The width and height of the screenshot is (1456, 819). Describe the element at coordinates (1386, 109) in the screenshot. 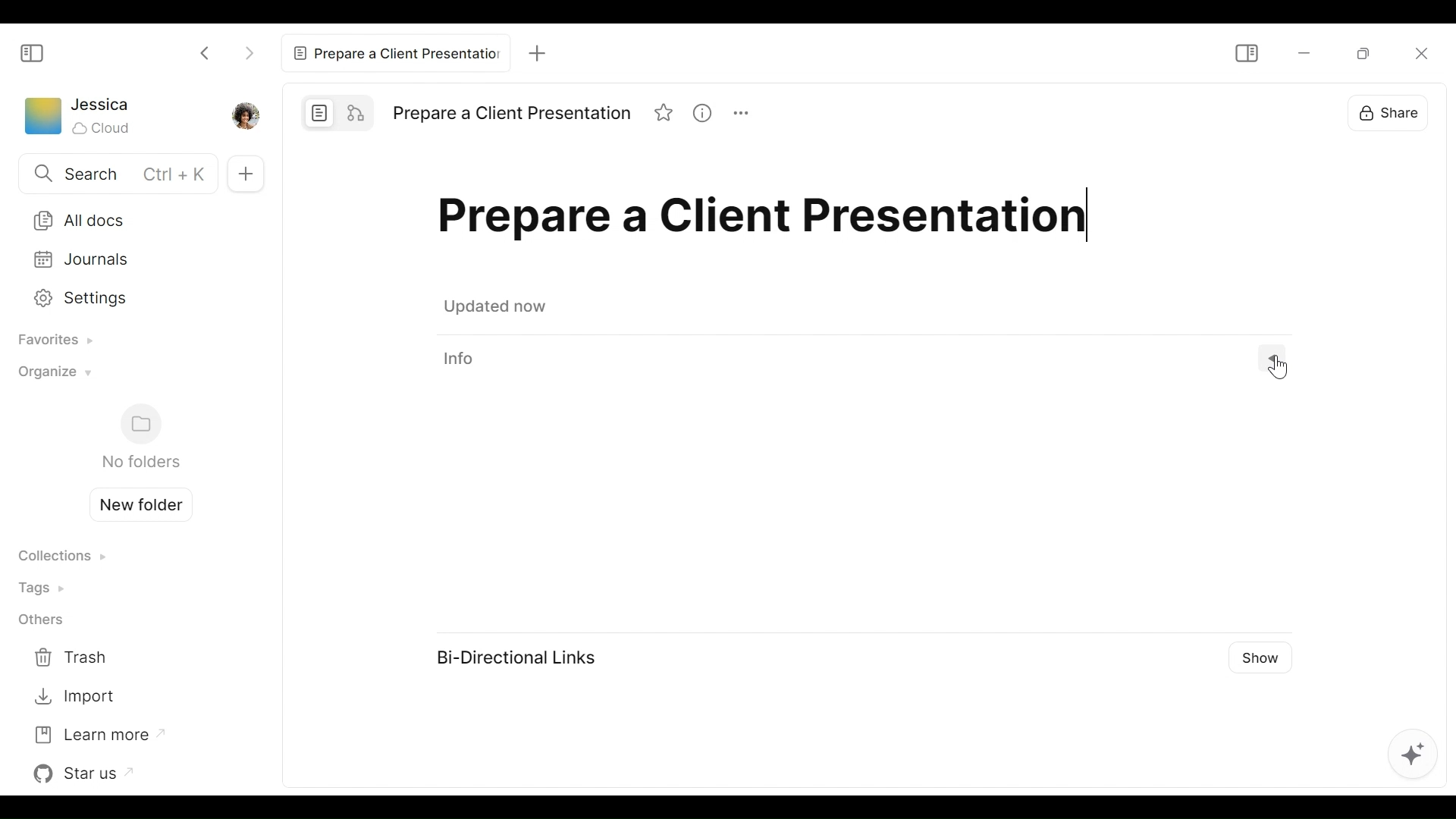

I see `Share` at that location.